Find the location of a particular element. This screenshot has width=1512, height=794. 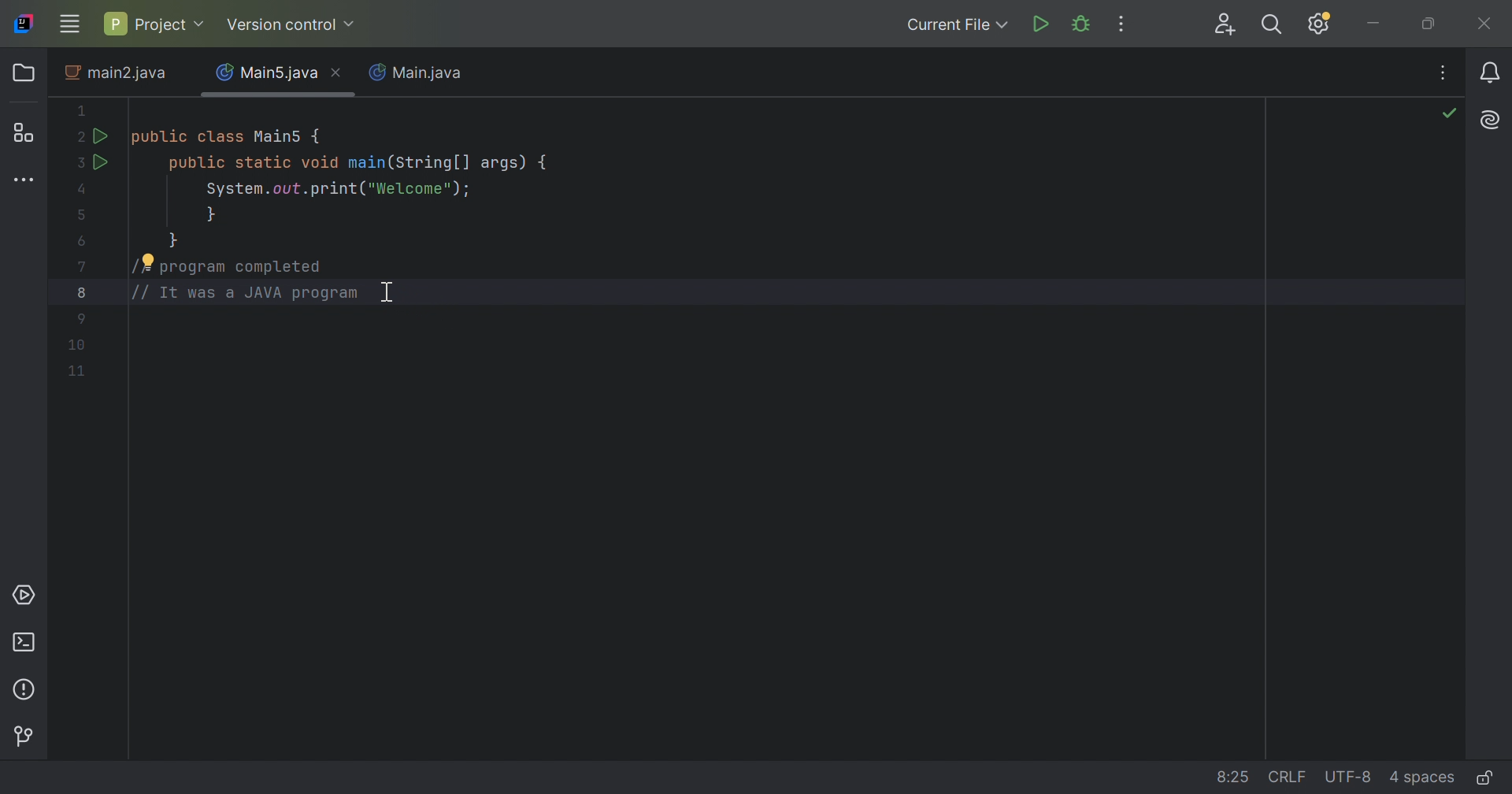

Close is located at coordinates (1486, 25).